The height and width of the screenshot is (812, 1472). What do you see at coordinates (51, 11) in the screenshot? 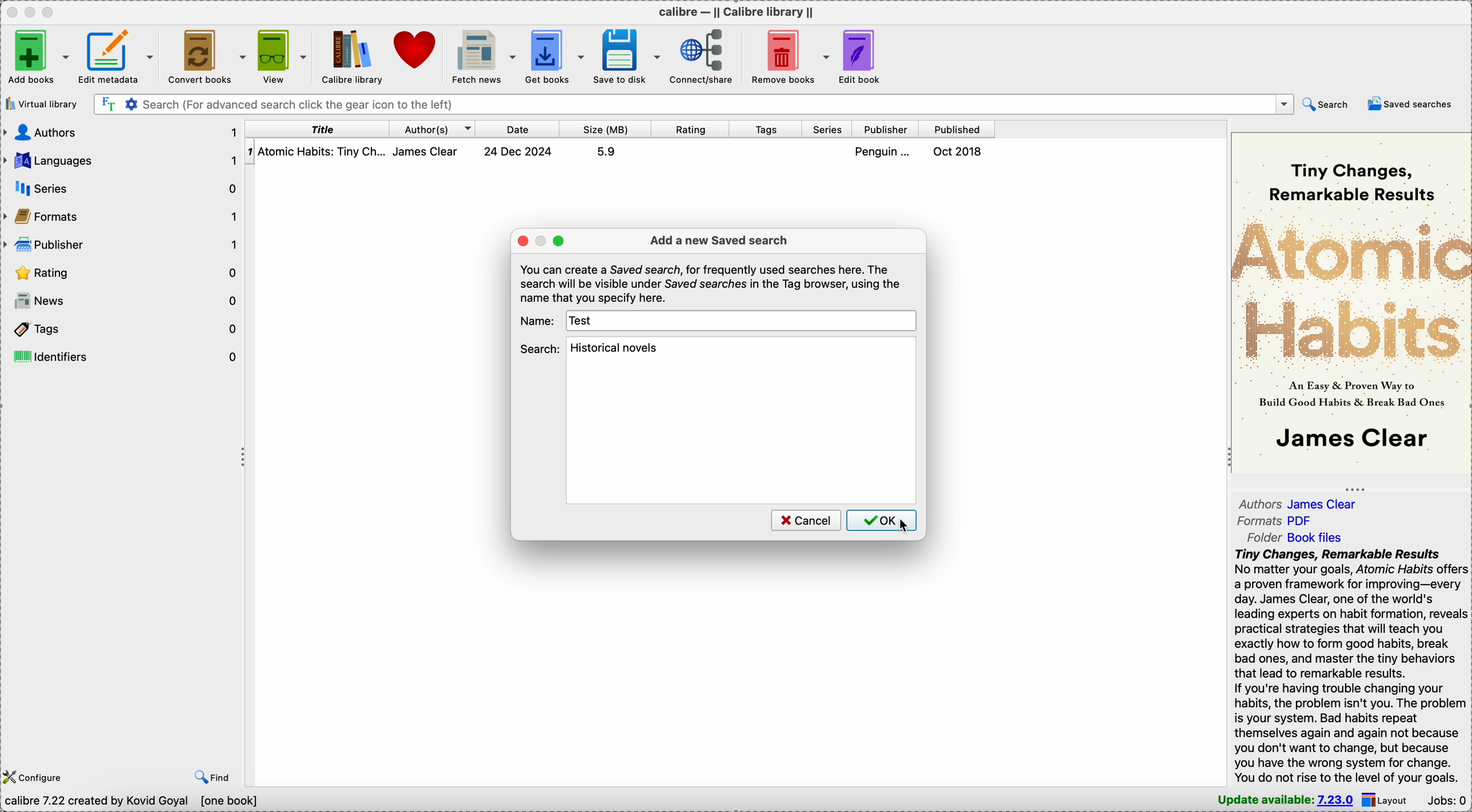
I see `maximize` at bounding box center [51, 11].